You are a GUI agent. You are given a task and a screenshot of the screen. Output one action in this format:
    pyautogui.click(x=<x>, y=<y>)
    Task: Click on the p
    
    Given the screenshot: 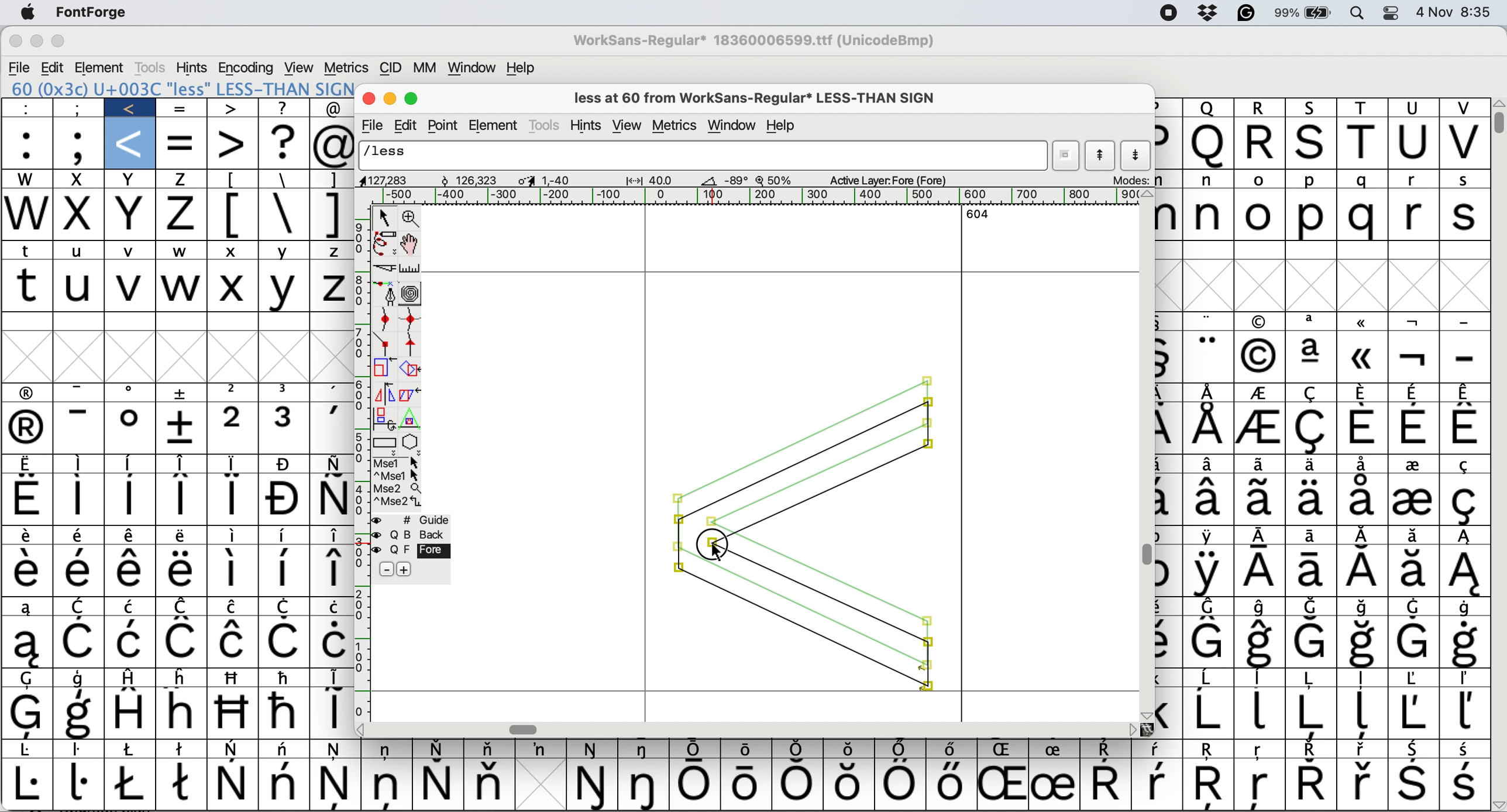 What is the action you would take?
    pyautogui.click(x=1310, y=181)
    